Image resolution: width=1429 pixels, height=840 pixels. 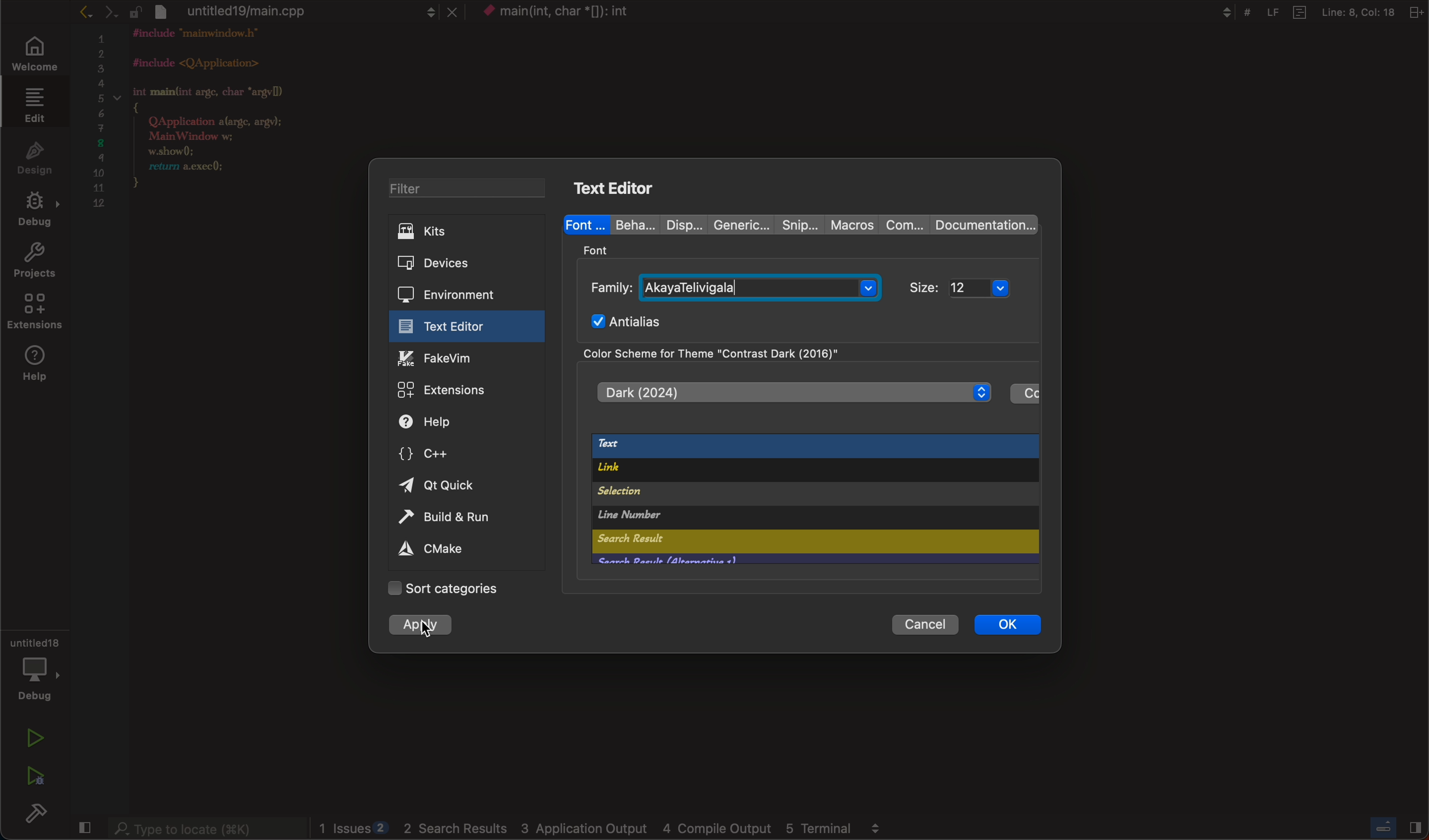 What do you see at coordinates (467, 231) in the screenshot?
I see `kits` at bounding box center [467, 231].